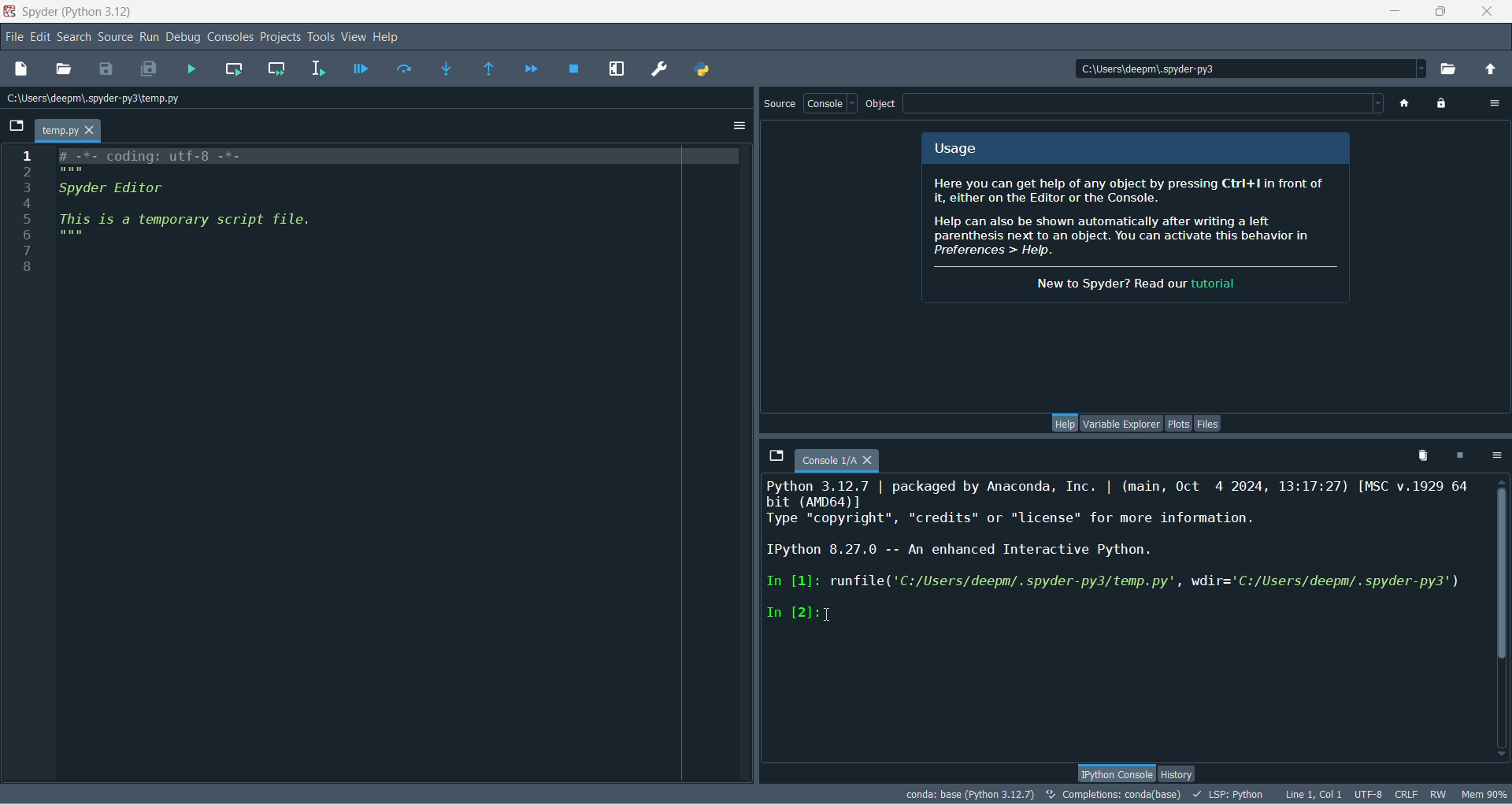 This screenshot has width=1512, height=805. I want to click on edit, so click(39, 38).